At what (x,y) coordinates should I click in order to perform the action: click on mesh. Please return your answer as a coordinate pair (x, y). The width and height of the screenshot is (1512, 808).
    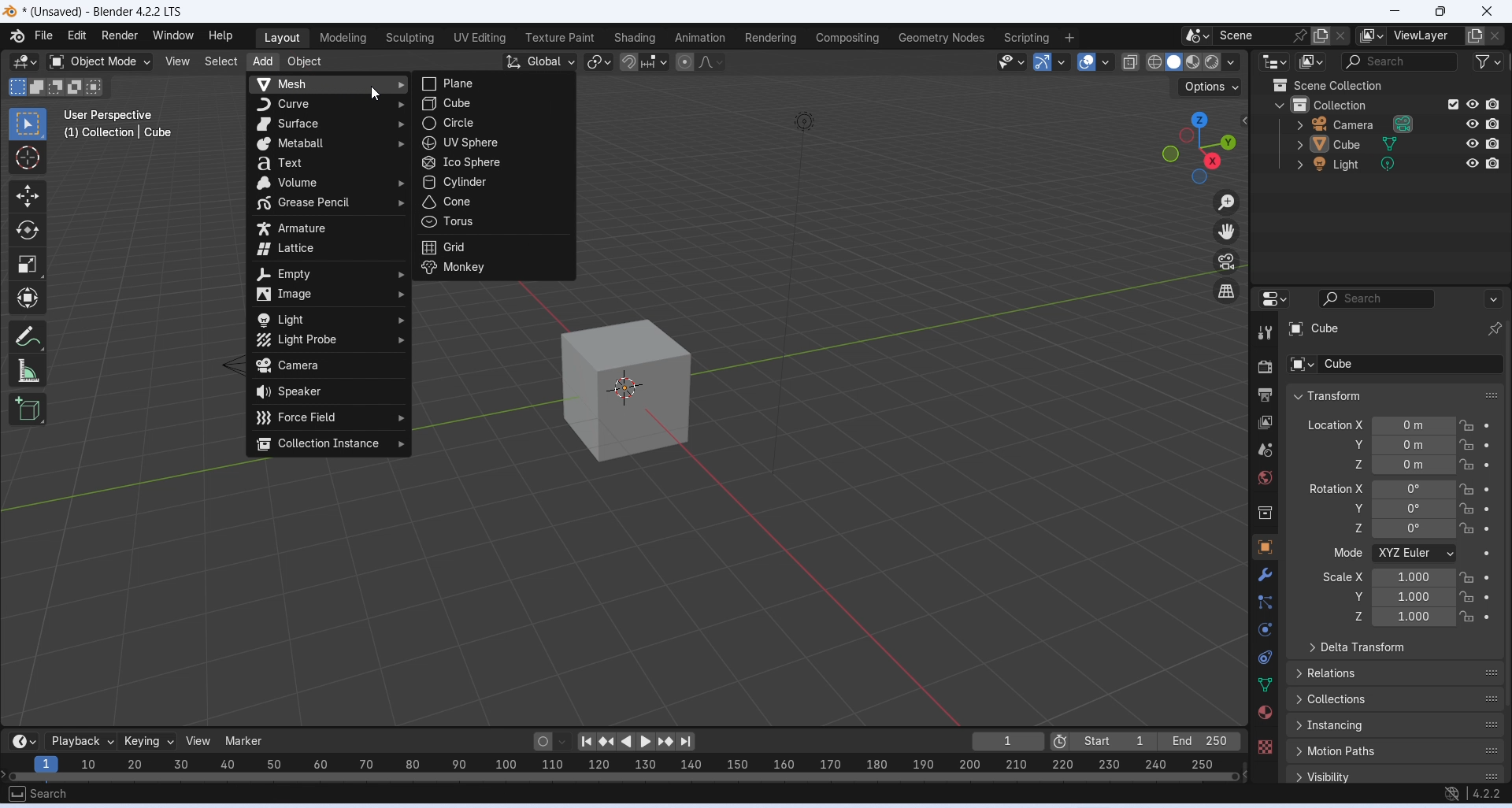
    Looking at the image, I should click on (328, 84).